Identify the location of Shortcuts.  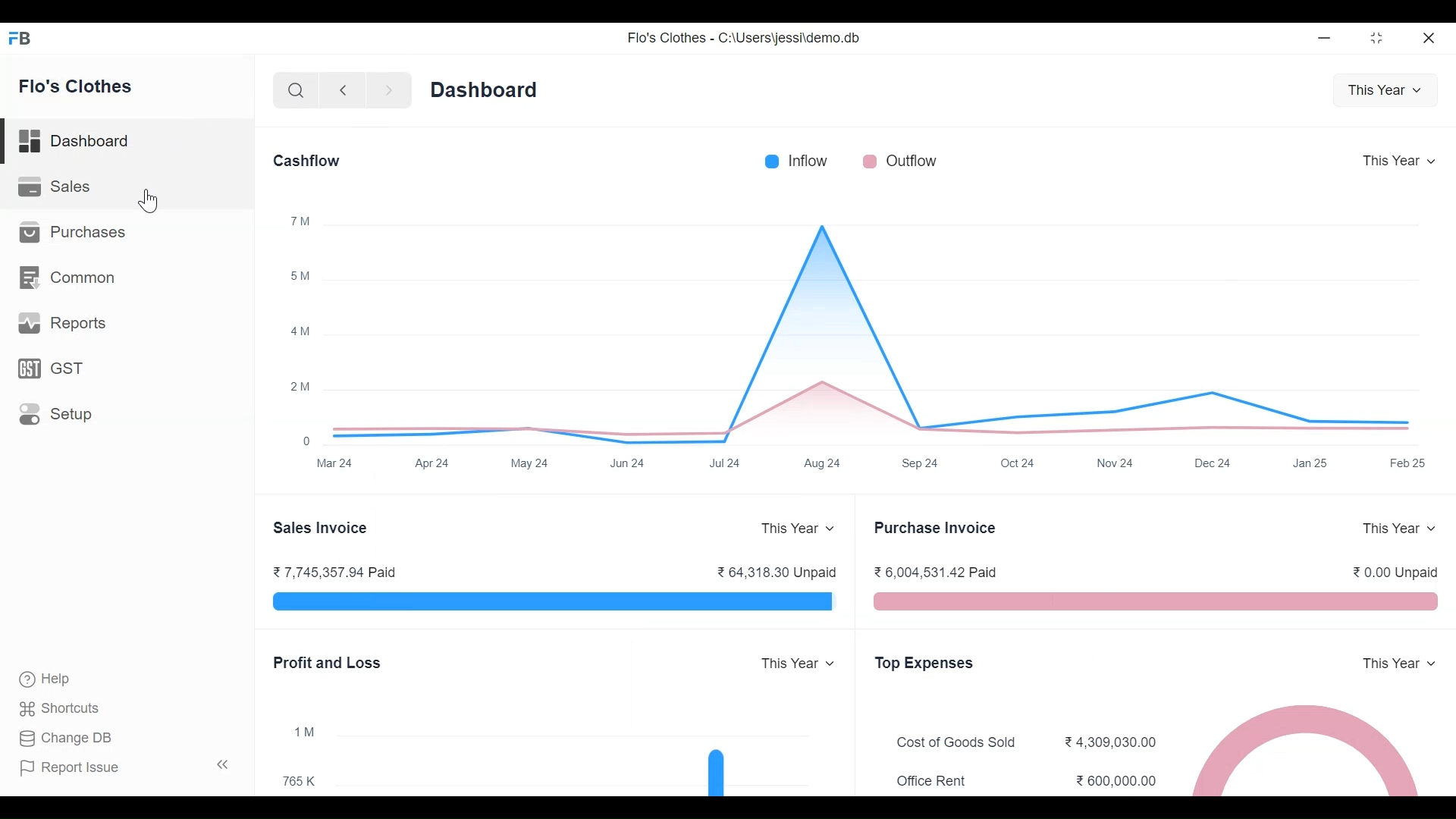
(55, 708).